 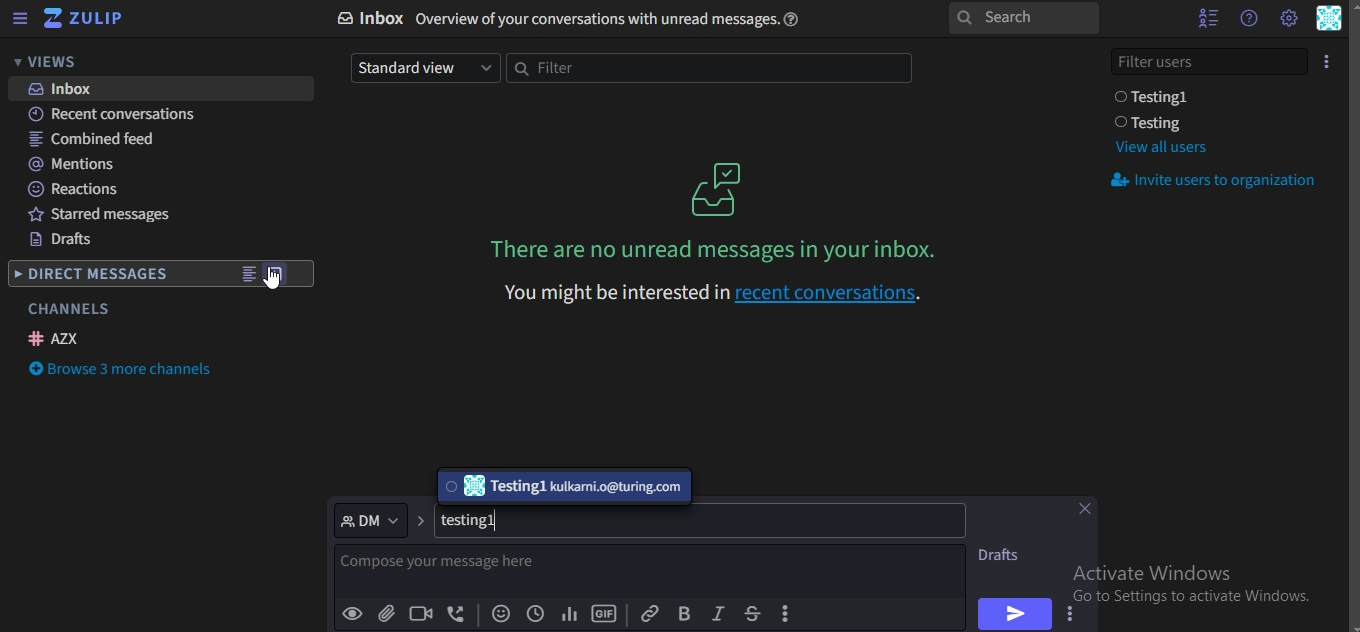 I want to click on help menu, so click(x=1248, y=18).